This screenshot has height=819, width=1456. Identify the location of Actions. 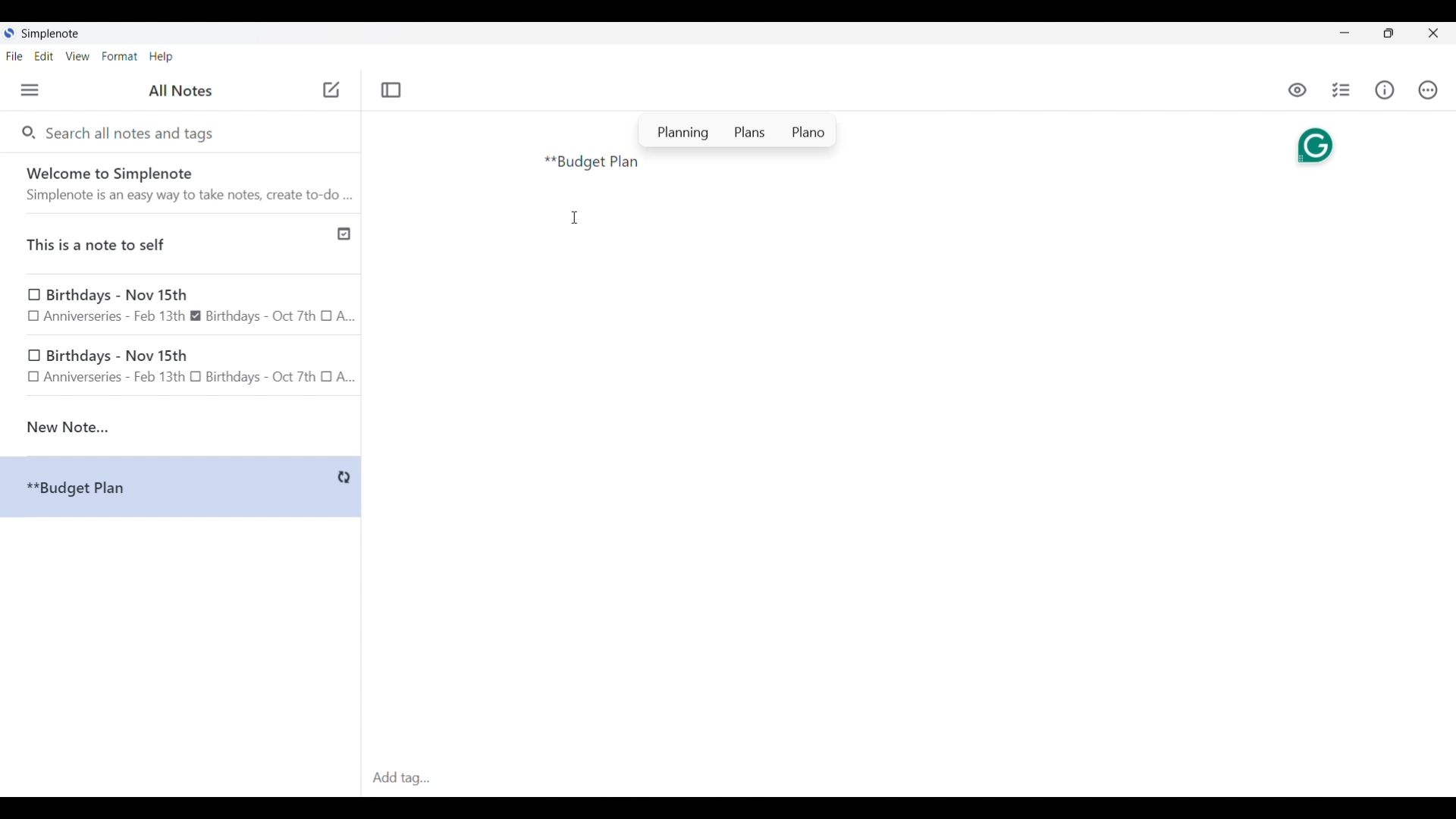
(1427, 90).